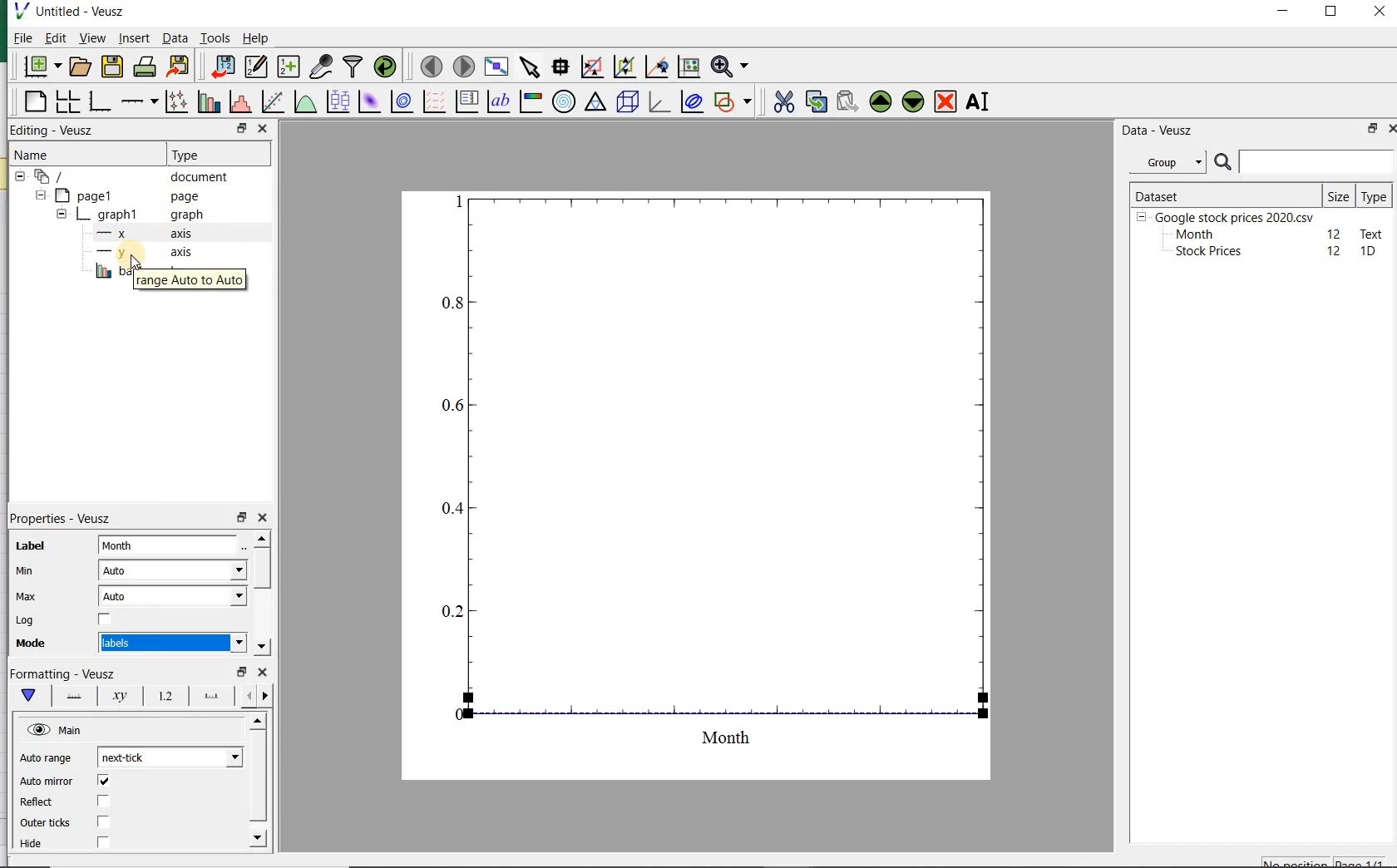  What do you see at coordinates (102, 801) in the screenshot?
I see `check/uncheck` at bounding box center [102, 801].